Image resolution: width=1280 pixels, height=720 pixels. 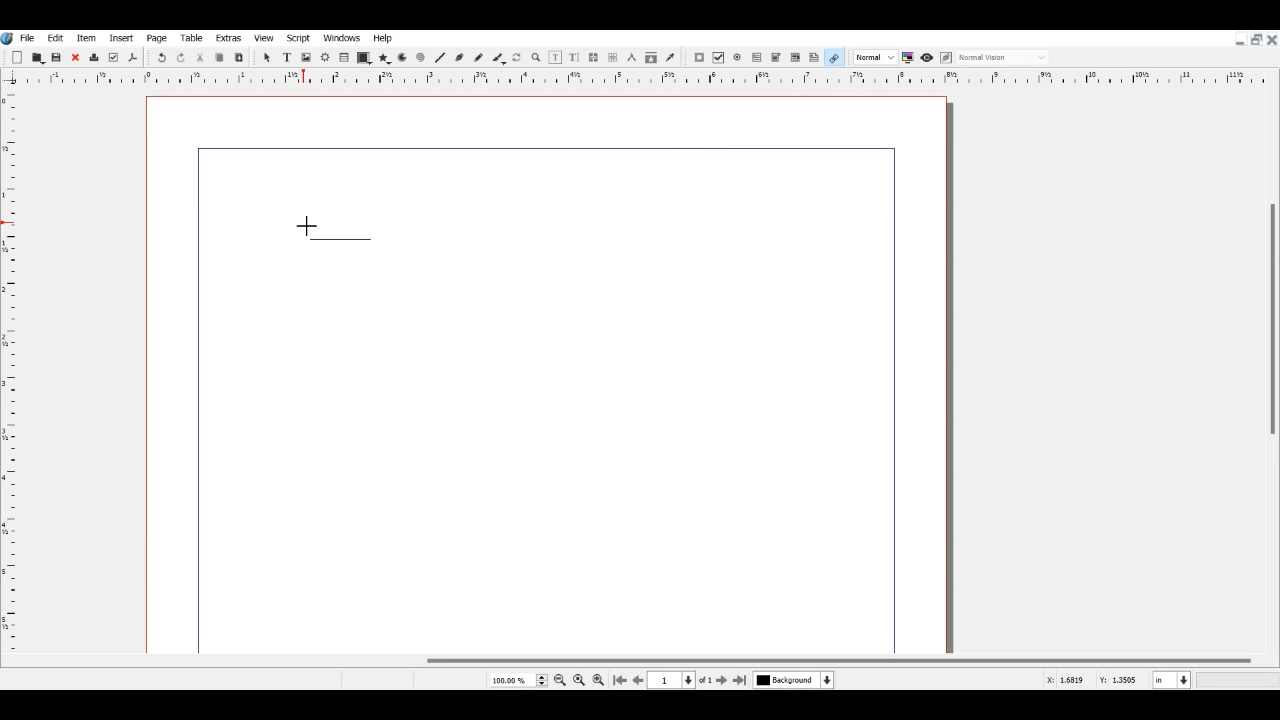 I want to click on Minimize, so click(x=1240, y=40).